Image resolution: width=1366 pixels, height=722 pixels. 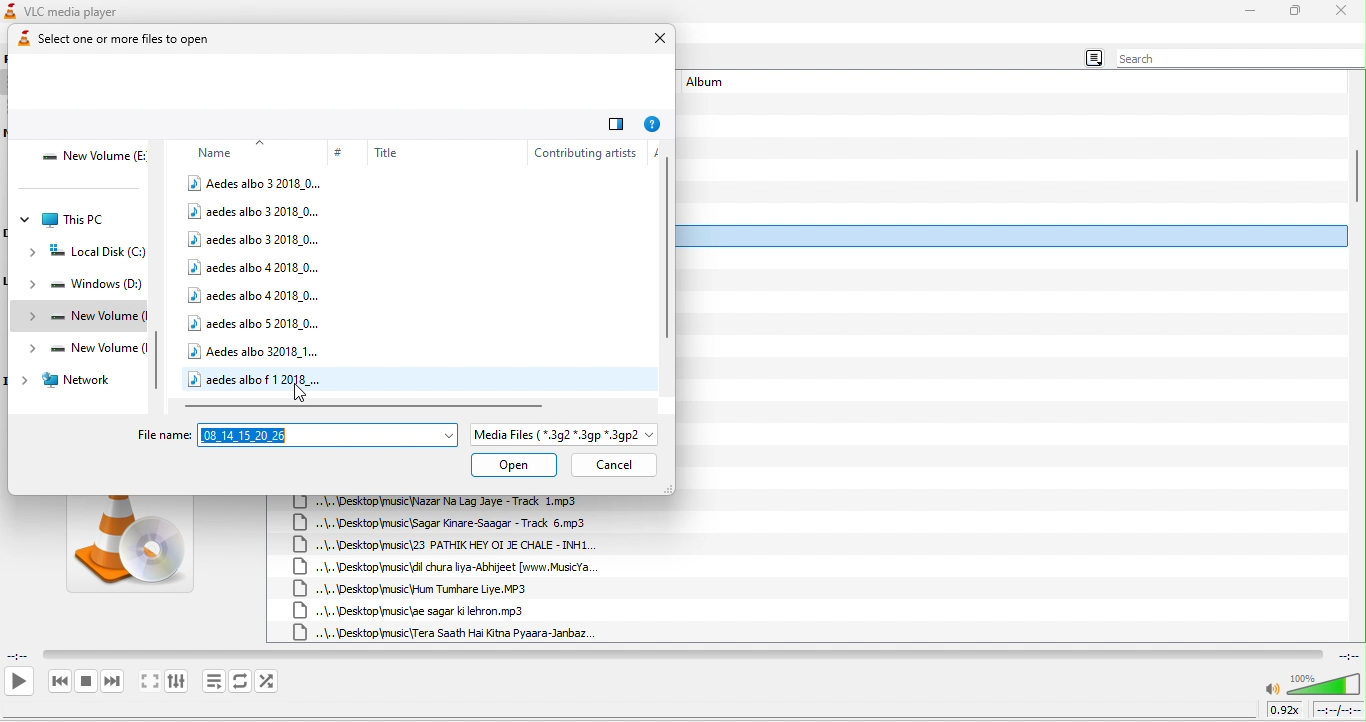 I want to click on total time, so click(x=1346, y=655).